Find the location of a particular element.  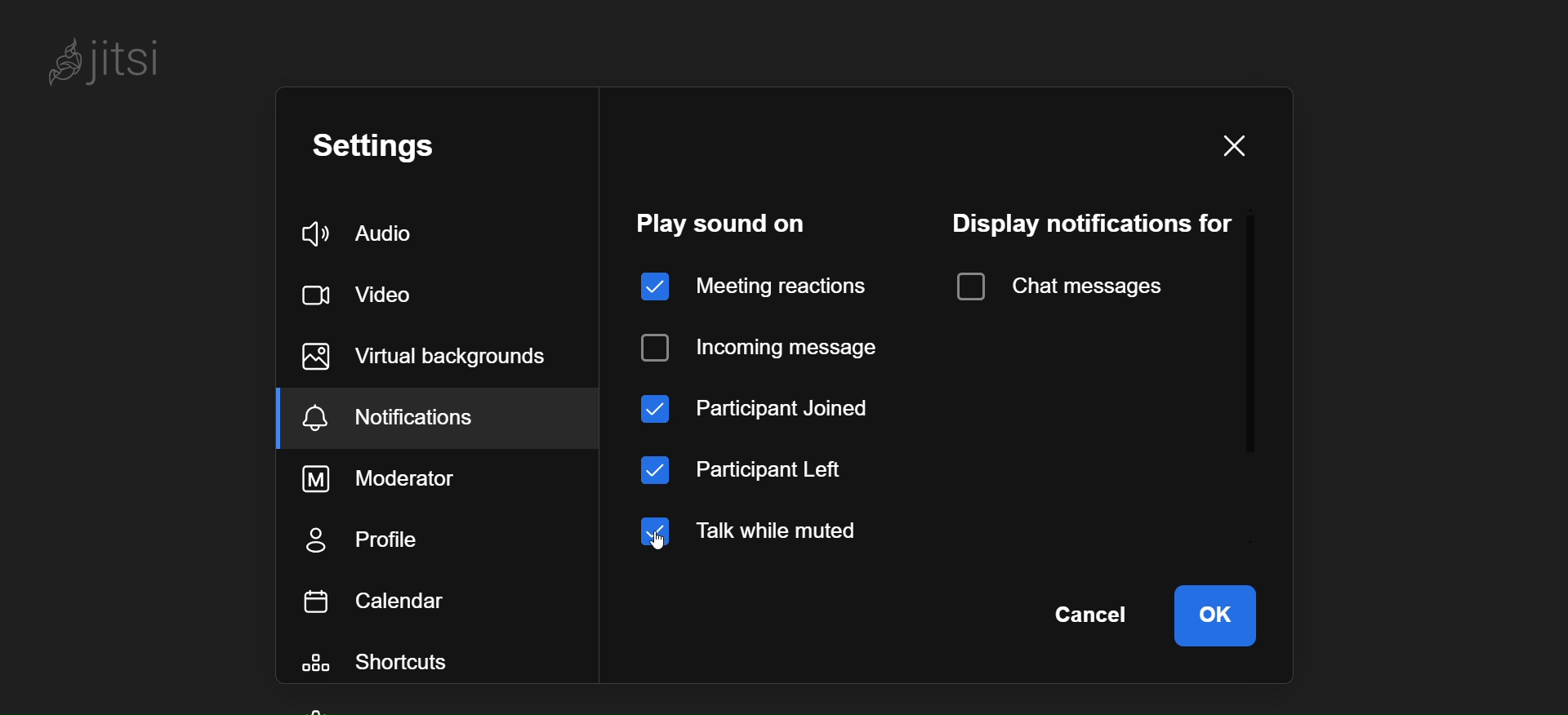

setting is located at coordinates (382, 149).